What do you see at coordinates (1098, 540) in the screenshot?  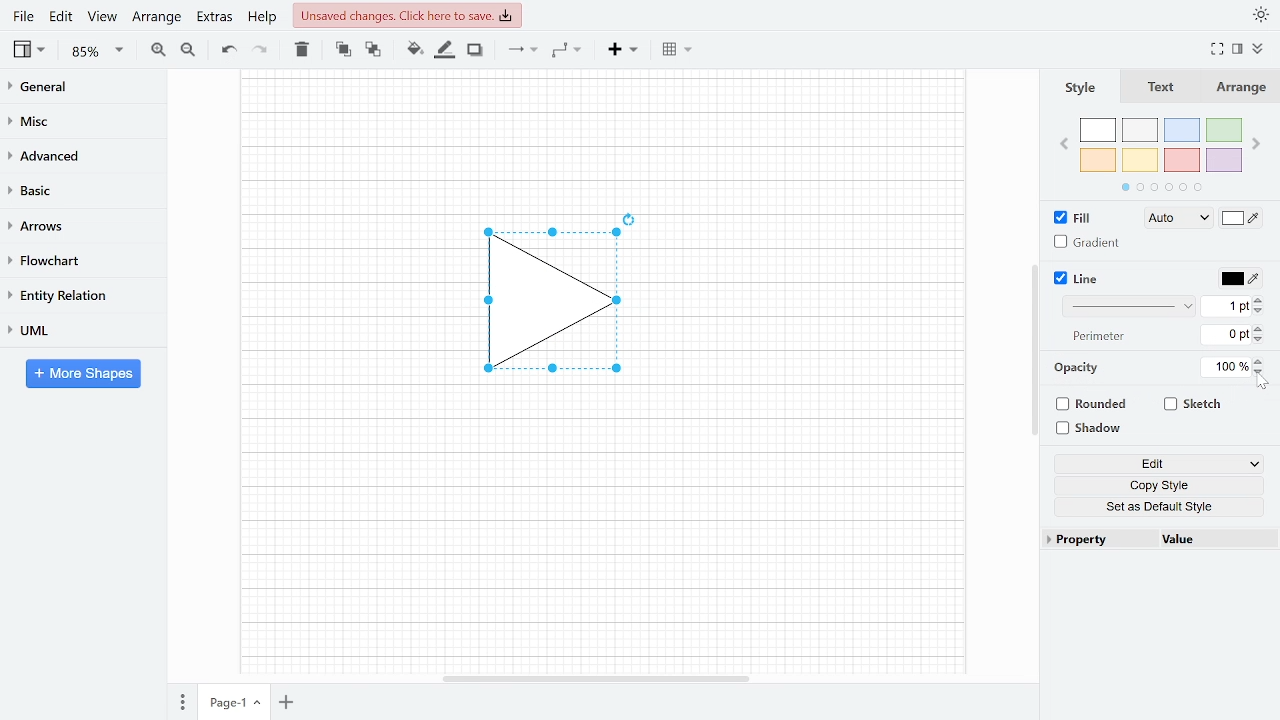 I see `Property` at bounding box center [1098, 540].